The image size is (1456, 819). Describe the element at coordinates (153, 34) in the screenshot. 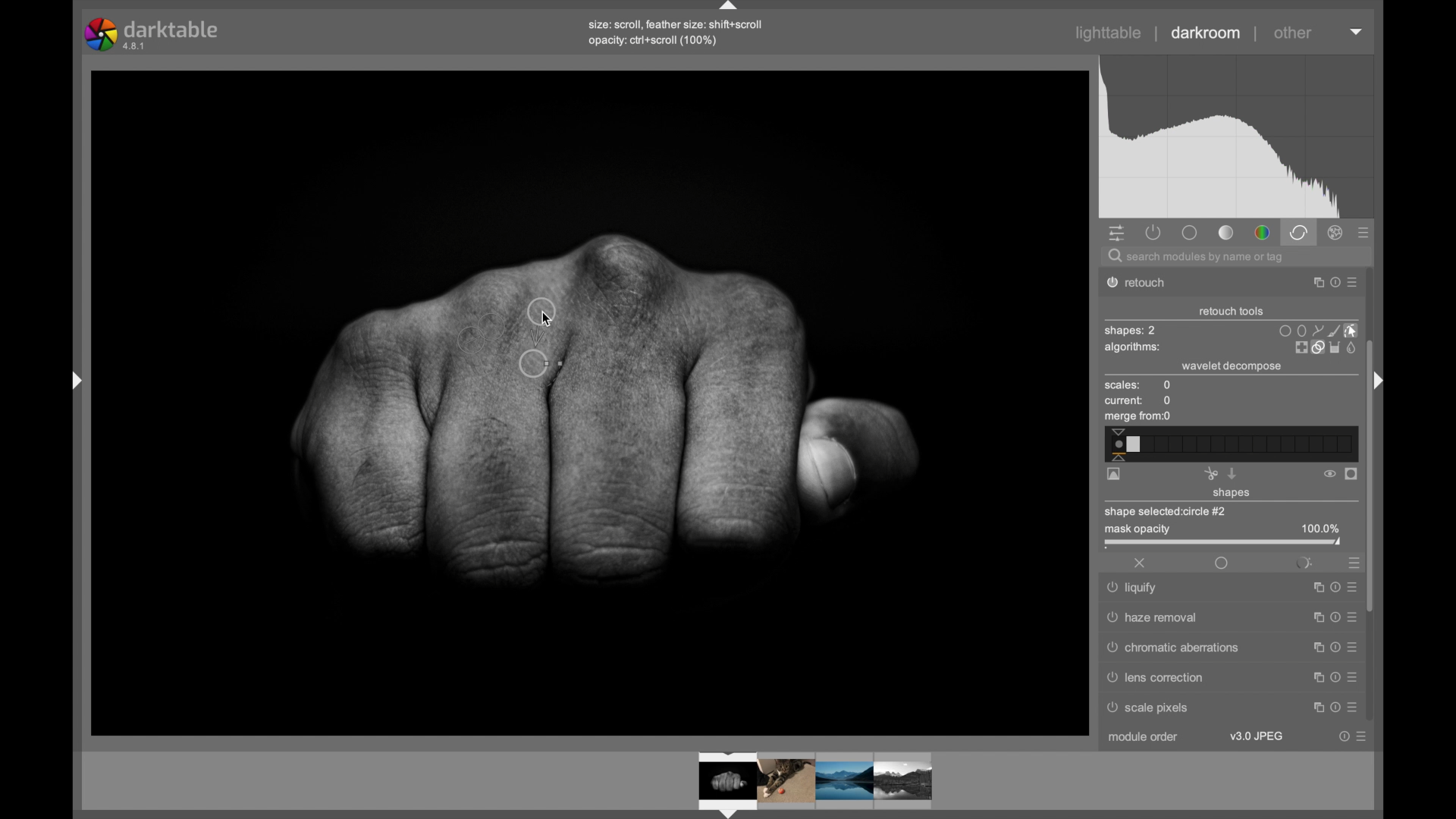

I see `darktable` at that location.